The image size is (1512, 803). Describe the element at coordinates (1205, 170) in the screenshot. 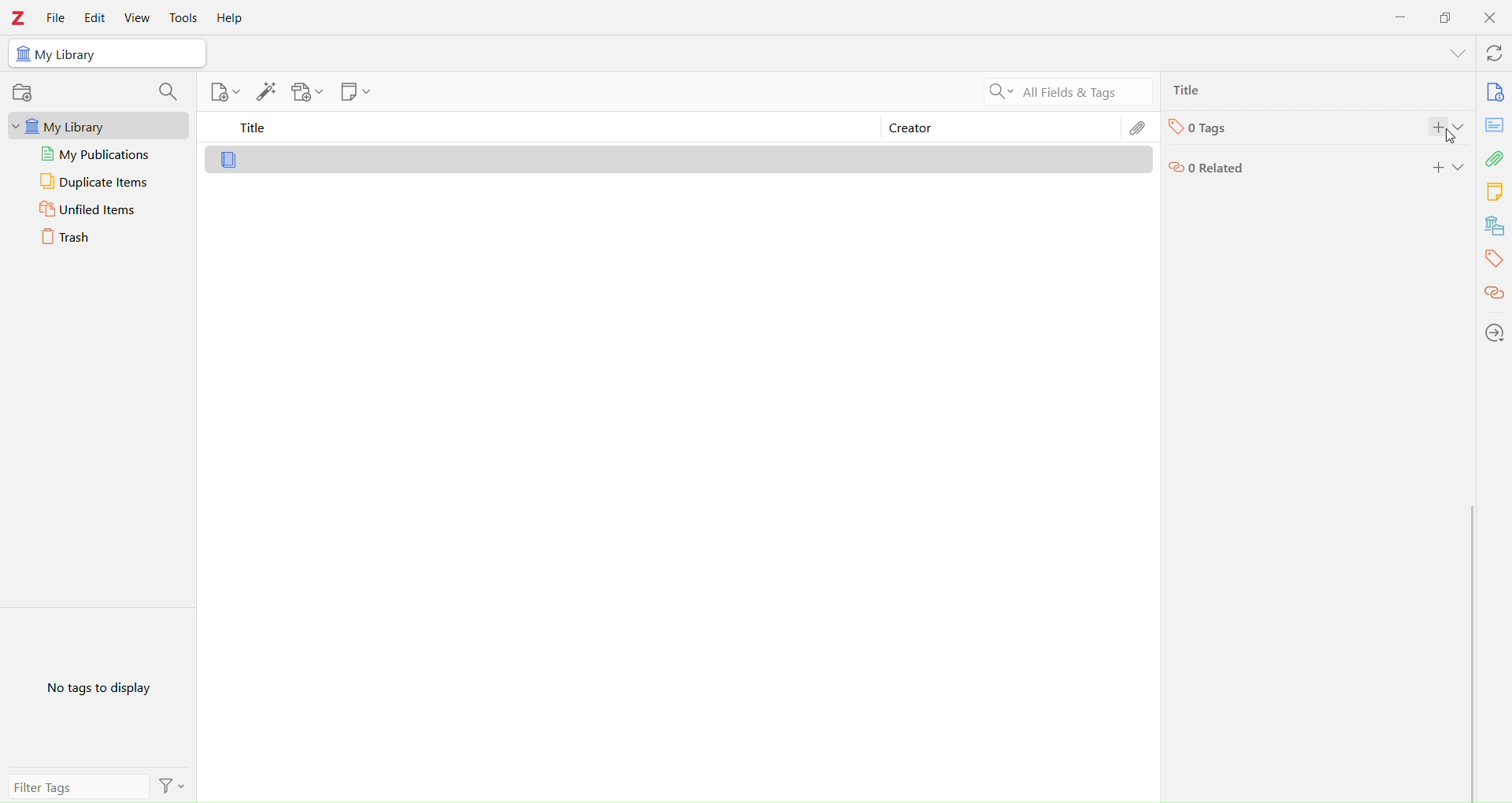

I see `Related` at that location.